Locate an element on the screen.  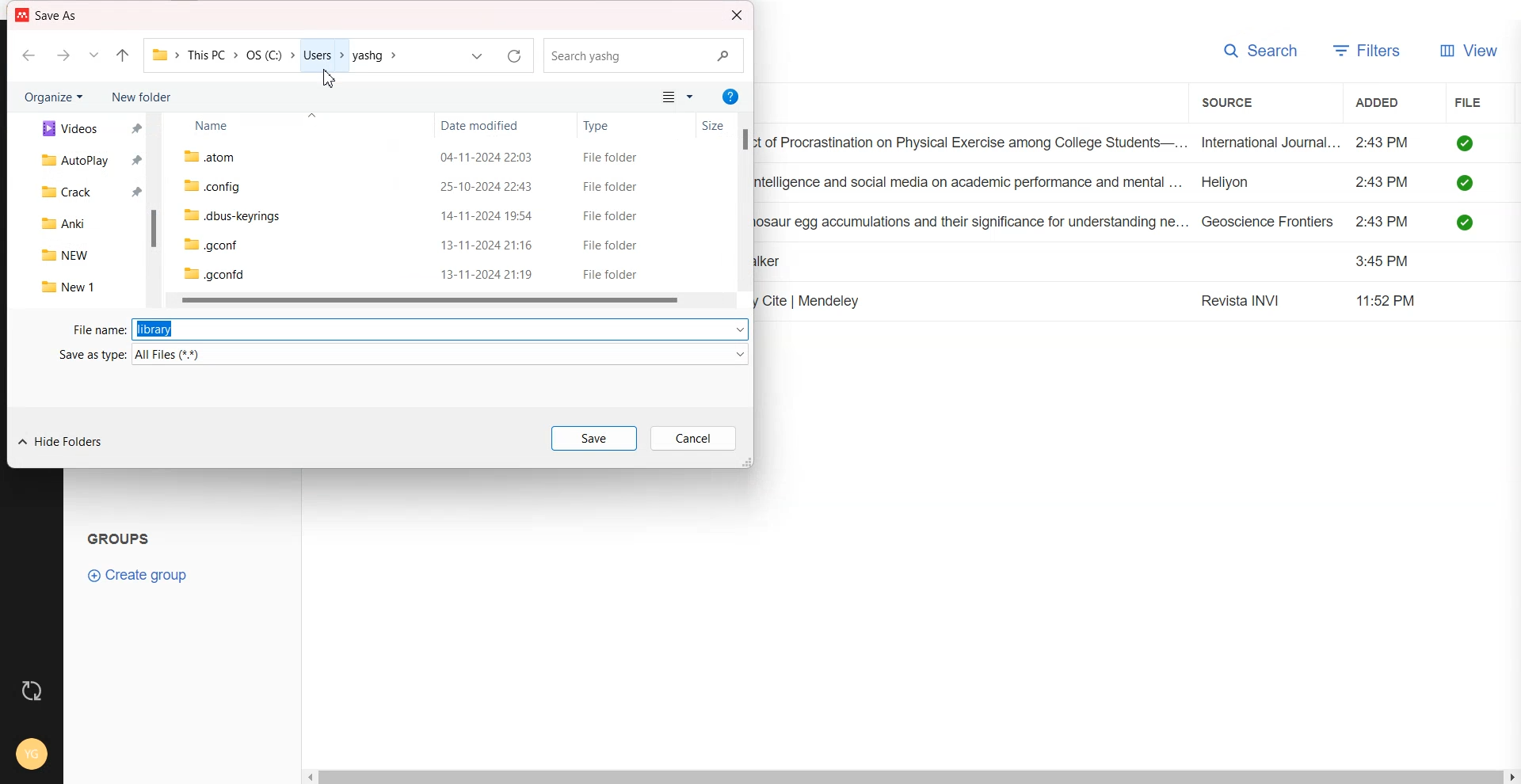
Save as type: is located at coordinates (90, 356).